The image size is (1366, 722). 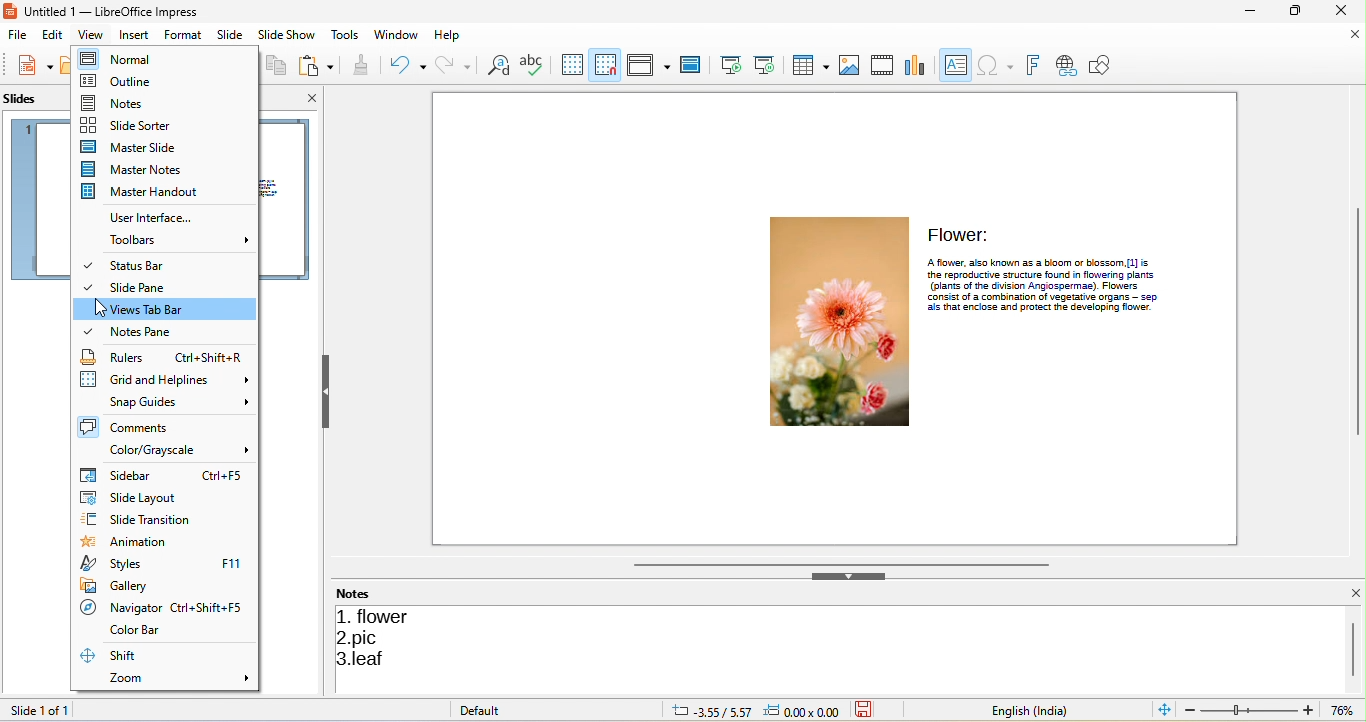 I want to click on CONES: Of Aa cOMDINALON Of vegetative Organs —- 380, so click(x=1041, y=297).